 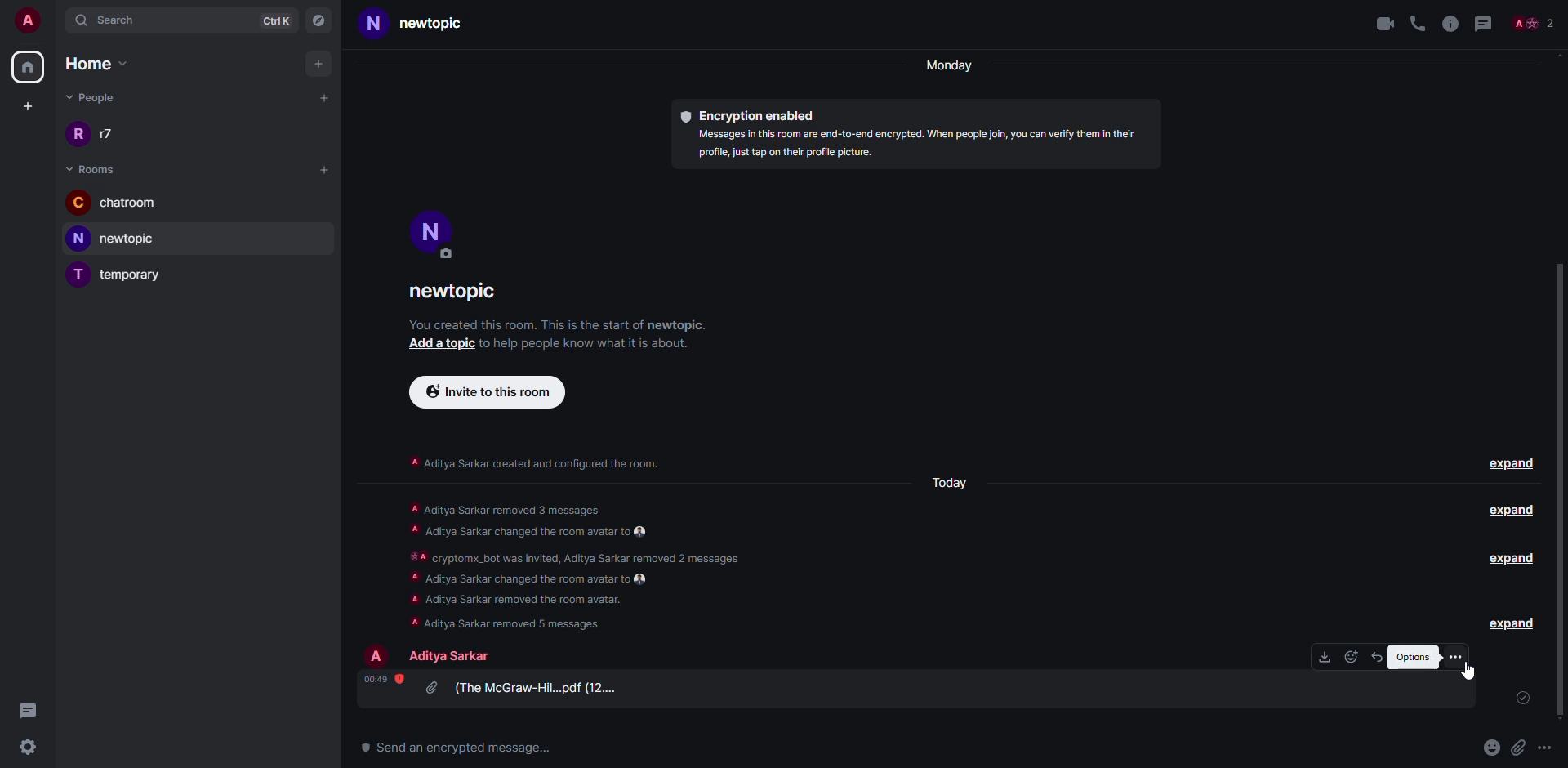 What do you see at coordinates (458, 749) in the screenshot?
I see `send an encrypted message` at bounding box center [458, 749].